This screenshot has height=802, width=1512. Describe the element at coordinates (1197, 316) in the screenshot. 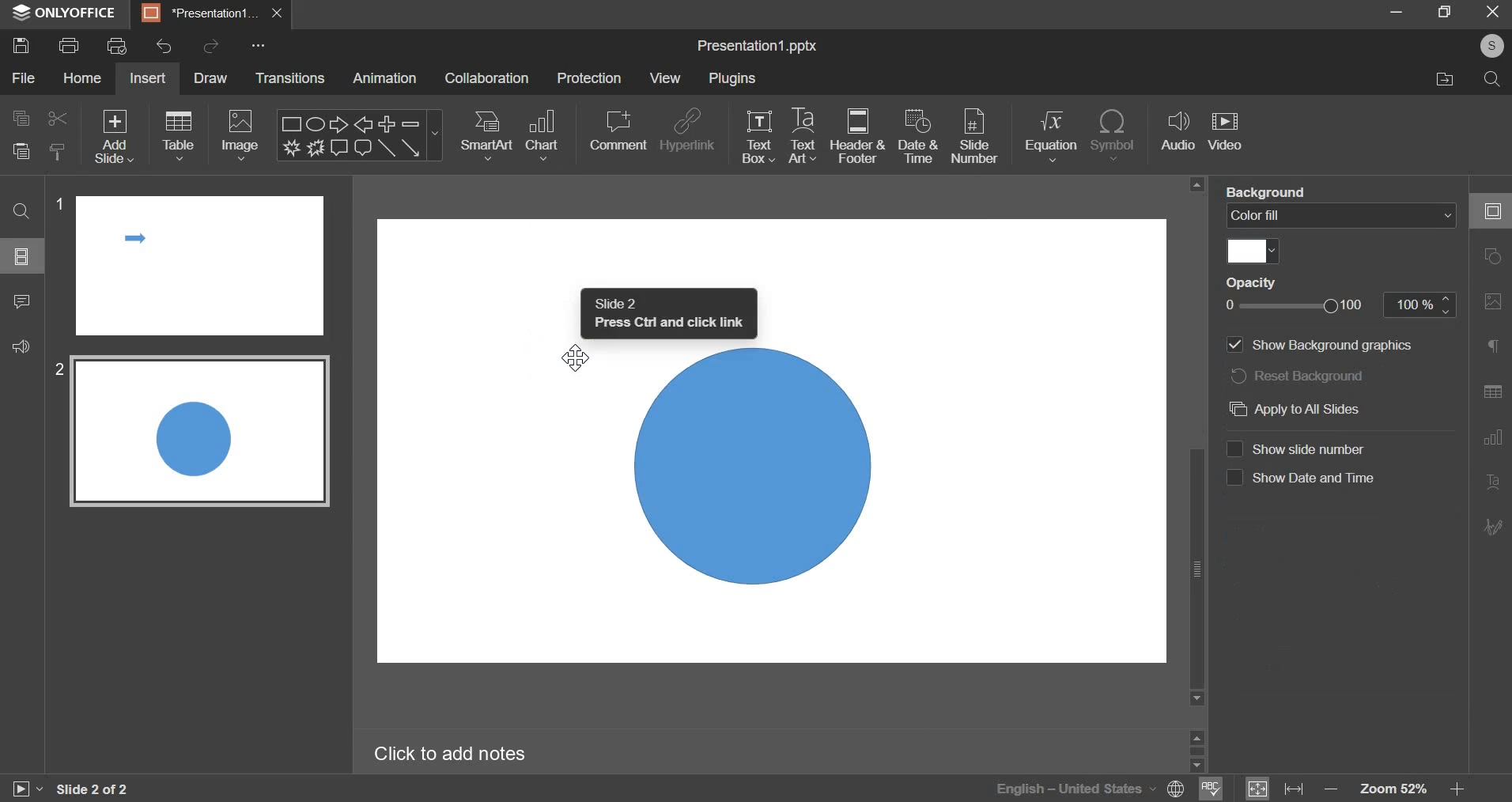

I see `vertical scrollbar` at that location.